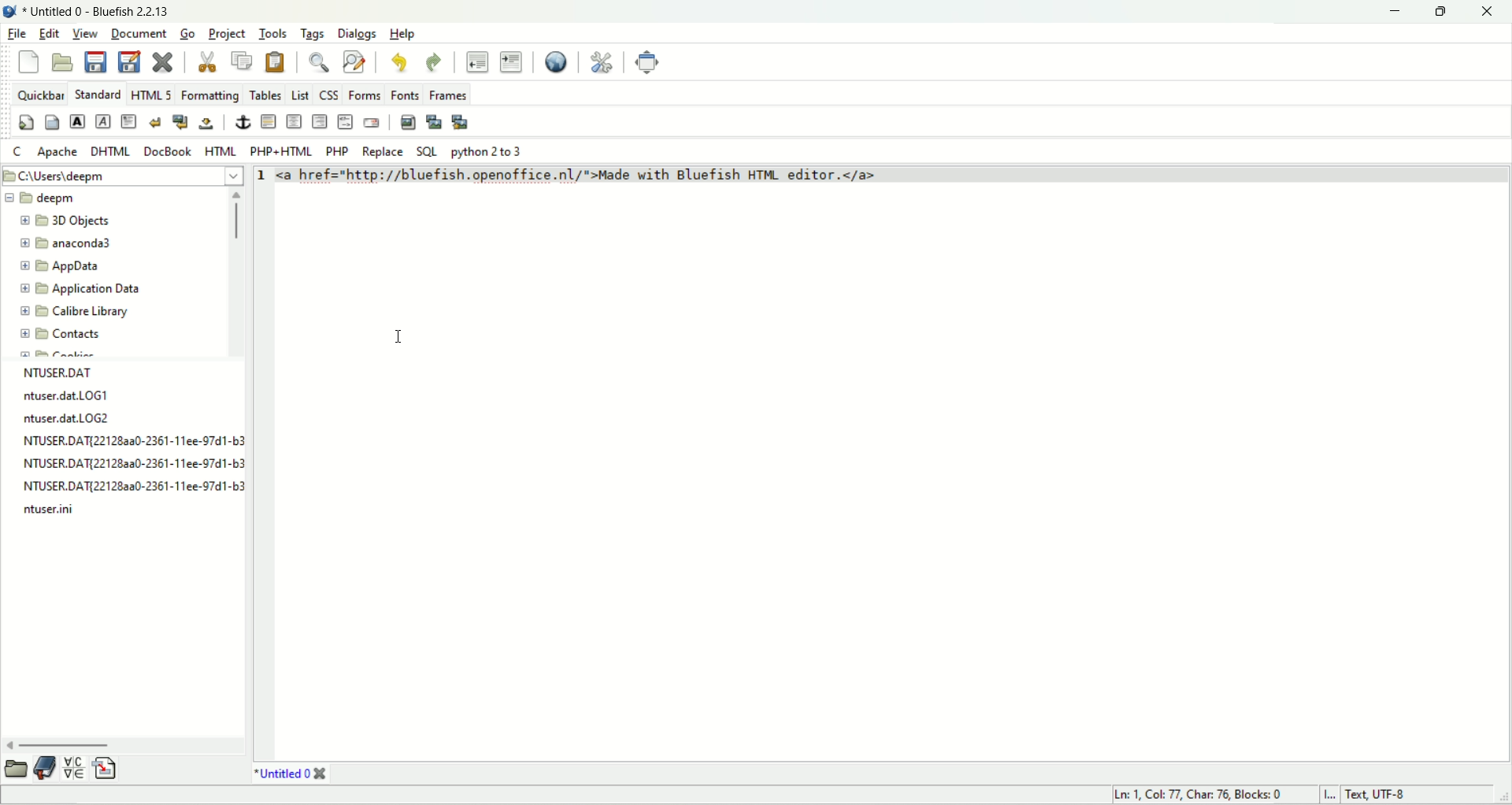 This screenshot has width=1512, height=805. I want to click on forms, so click(363, 95).